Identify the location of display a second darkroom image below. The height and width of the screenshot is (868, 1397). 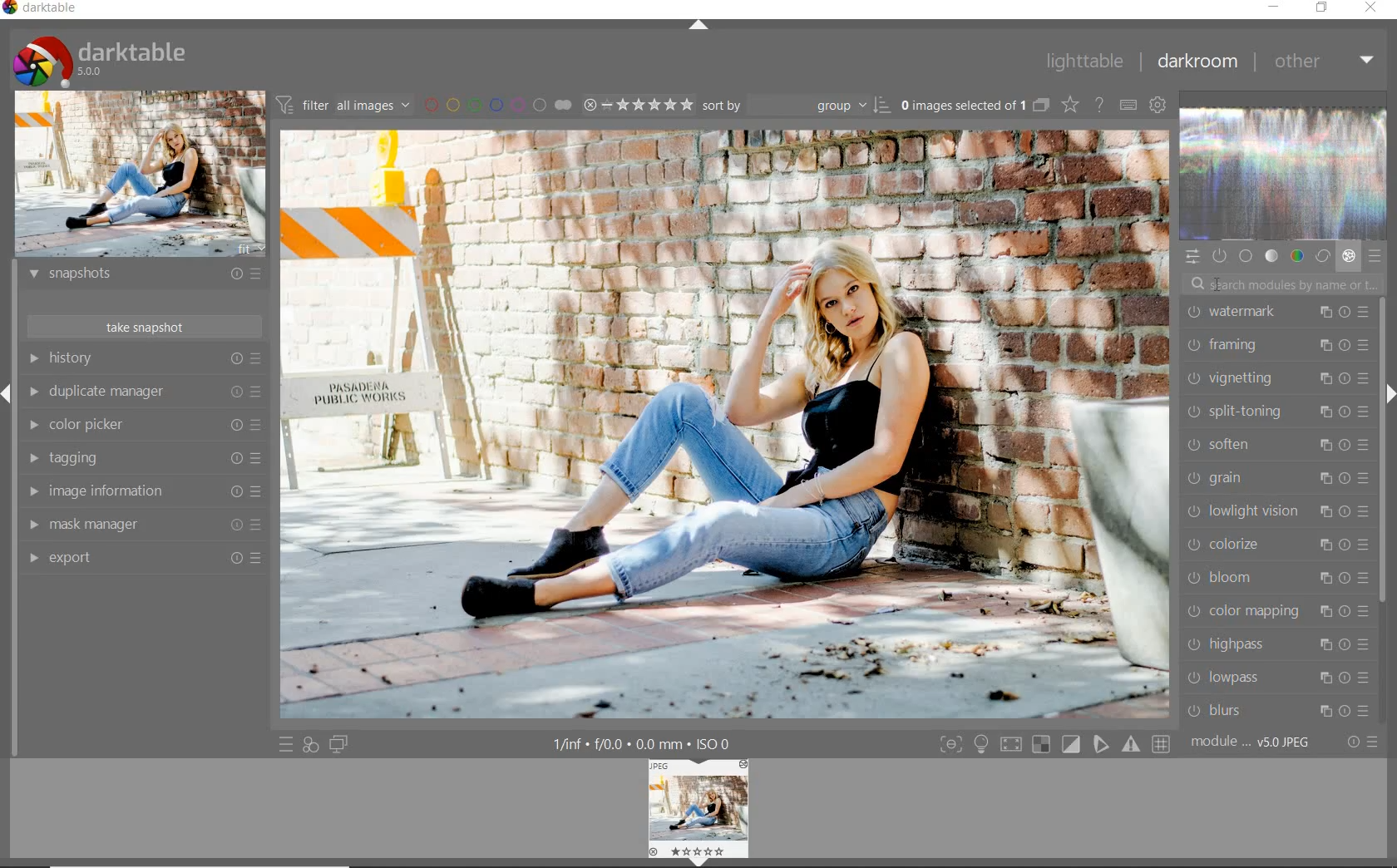
(341, 743).